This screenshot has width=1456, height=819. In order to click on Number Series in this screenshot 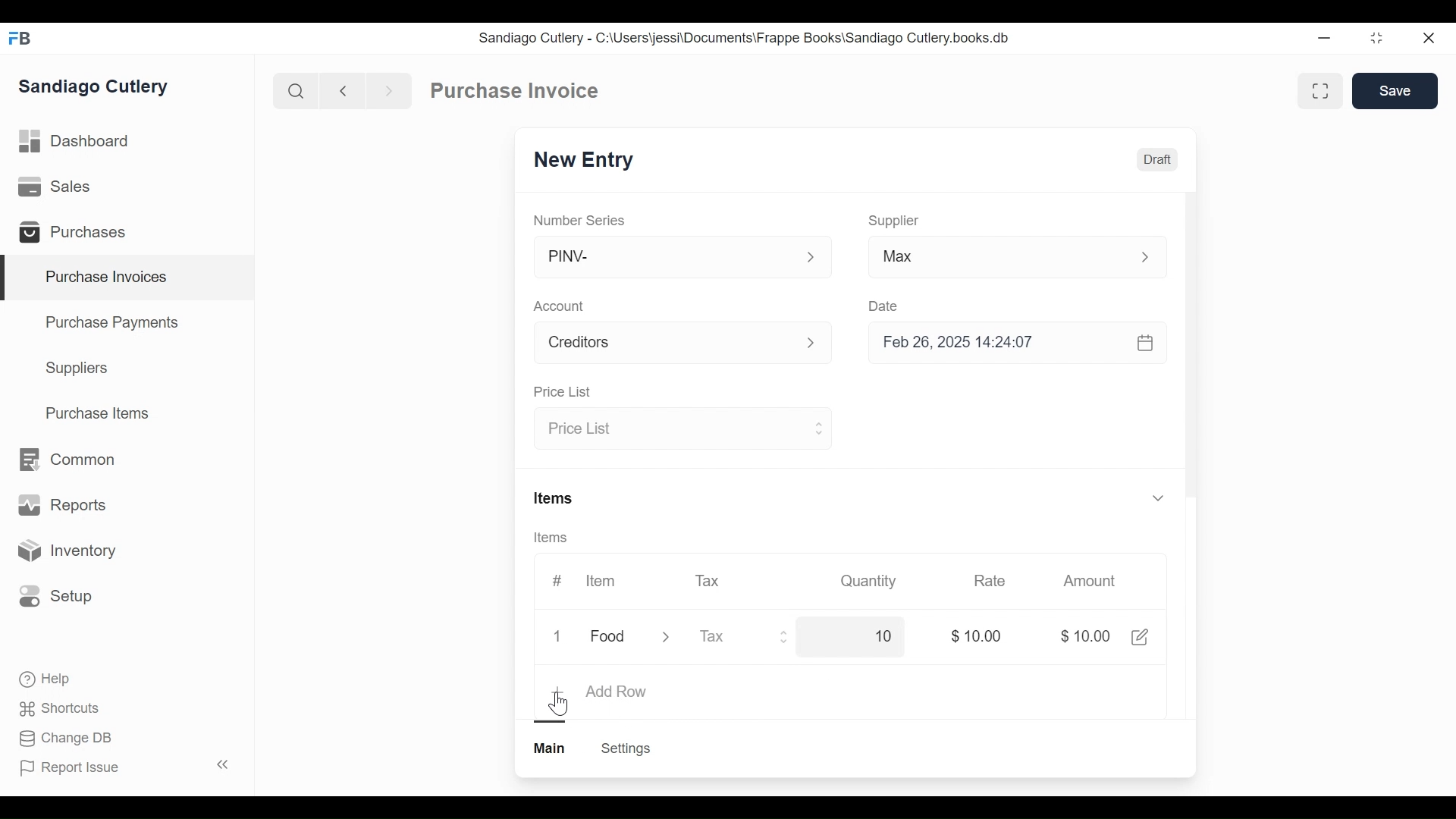, I will do `click(581, 220)`.